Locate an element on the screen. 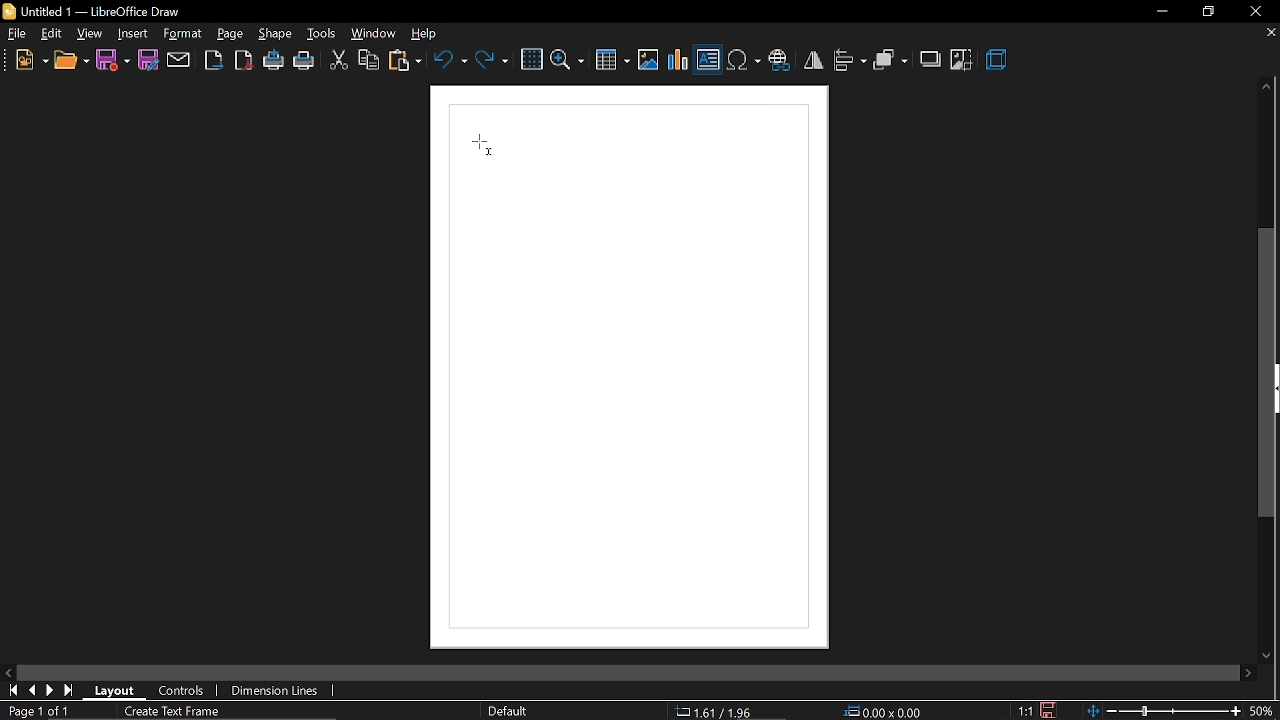 Image resolution: width=1280 pixels, height=720 pixels. current page is located at coordinates (36, 711).